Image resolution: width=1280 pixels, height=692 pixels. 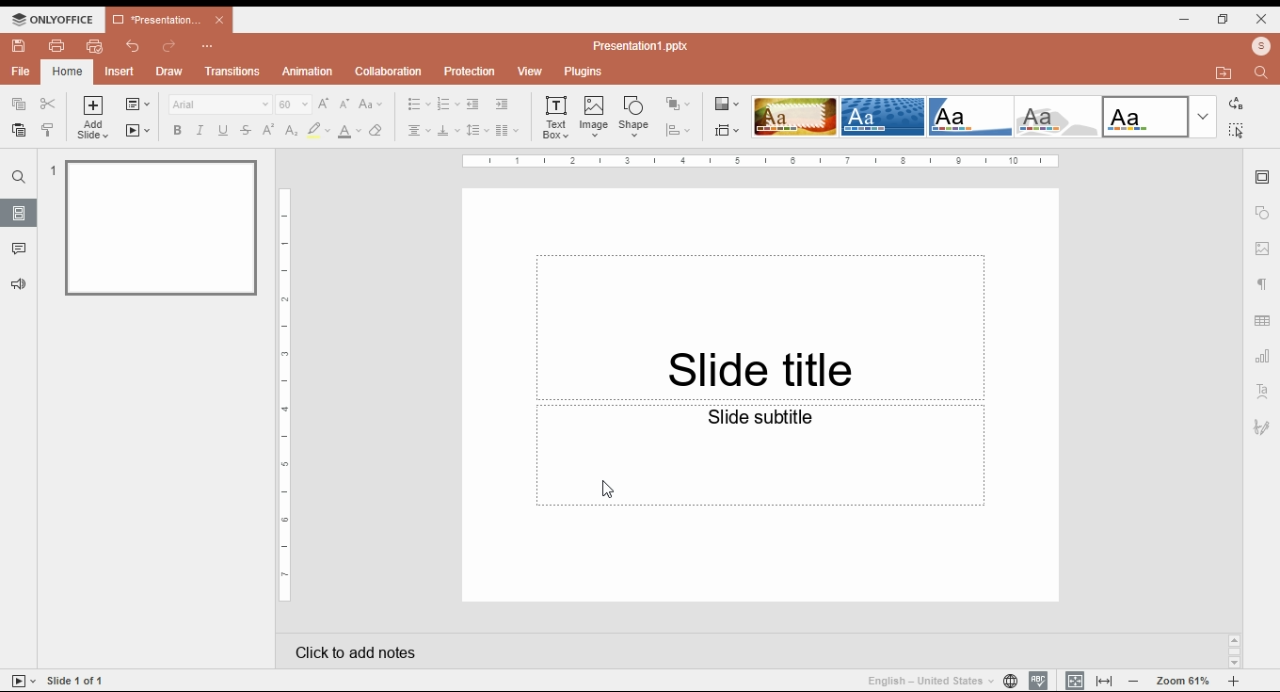 What do you see at coordinates (17, 130) in the screenshot?
I see `paste` at bounding box center [17, 130].